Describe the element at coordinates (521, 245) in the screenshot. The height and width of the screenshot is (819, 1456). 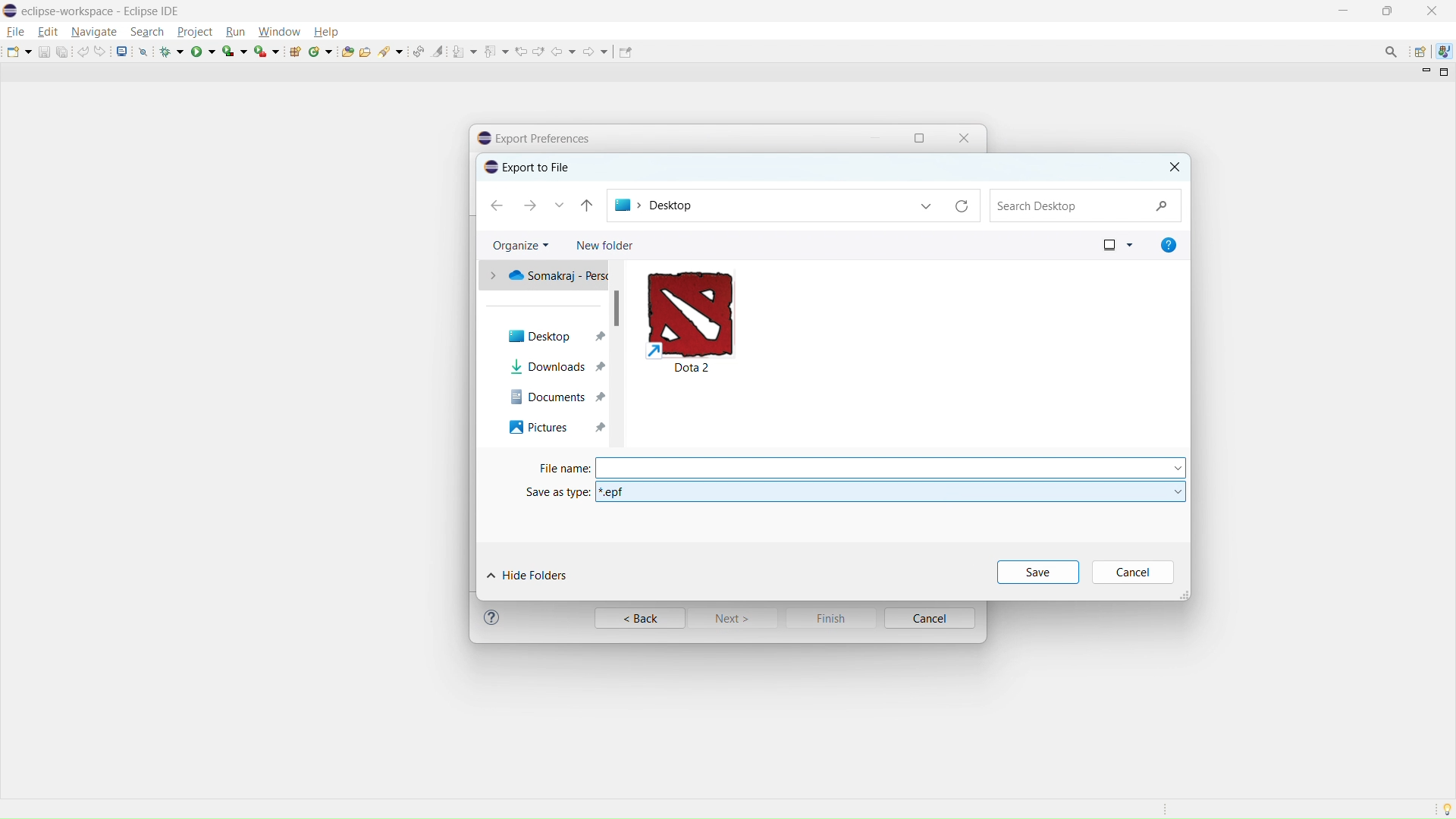
I see `Organize` at that location.